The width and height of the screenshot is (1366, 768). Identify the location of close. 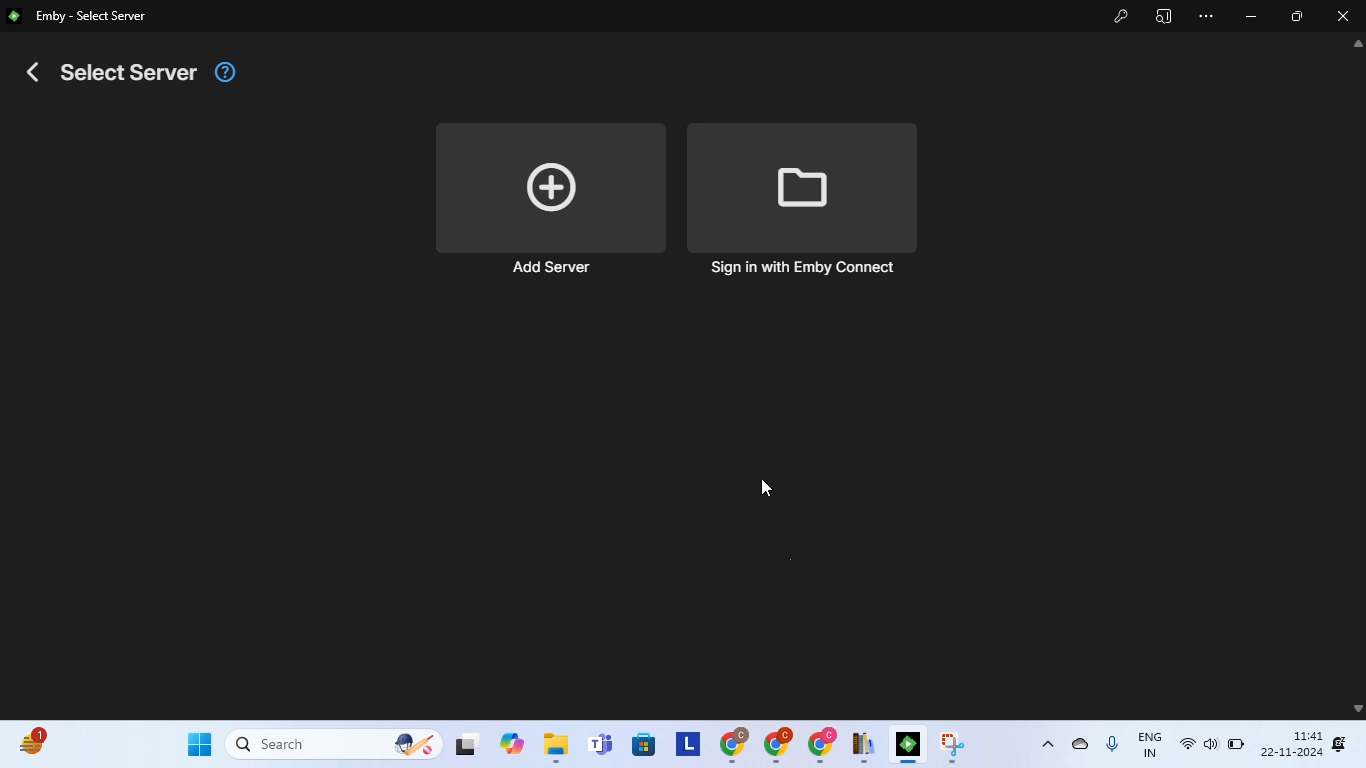
(1345, 15).